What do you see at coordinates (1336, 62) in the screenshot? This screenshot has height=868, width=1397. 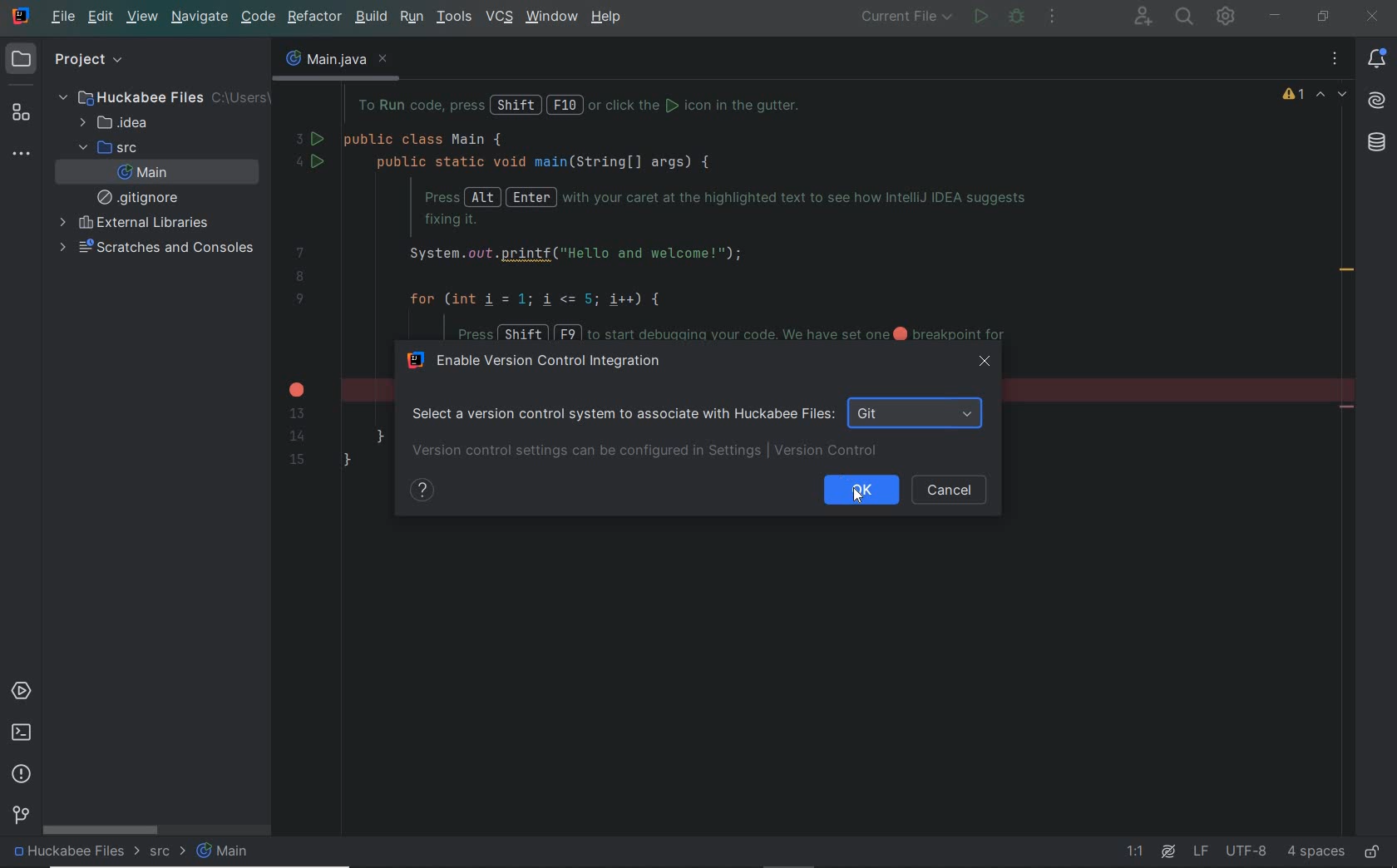 I see `recent files, tab actions` at bounding box center [1336, 62].